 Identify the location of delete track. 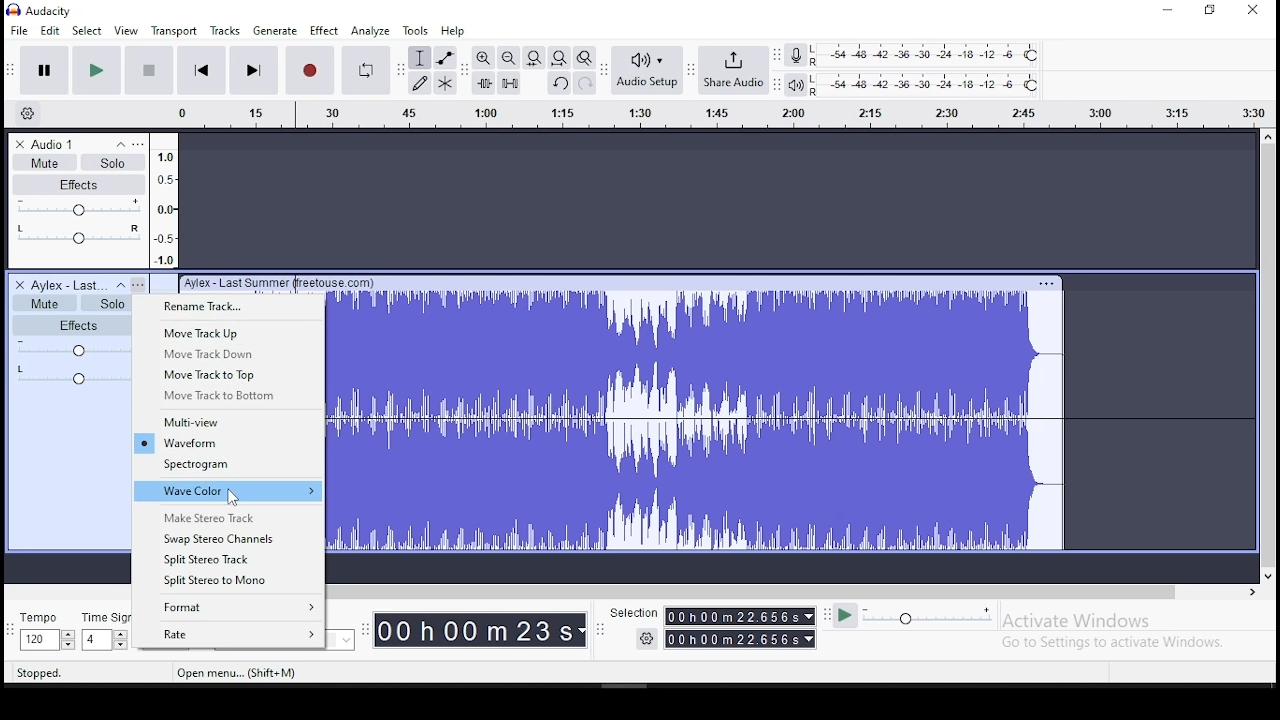
(20, 145).